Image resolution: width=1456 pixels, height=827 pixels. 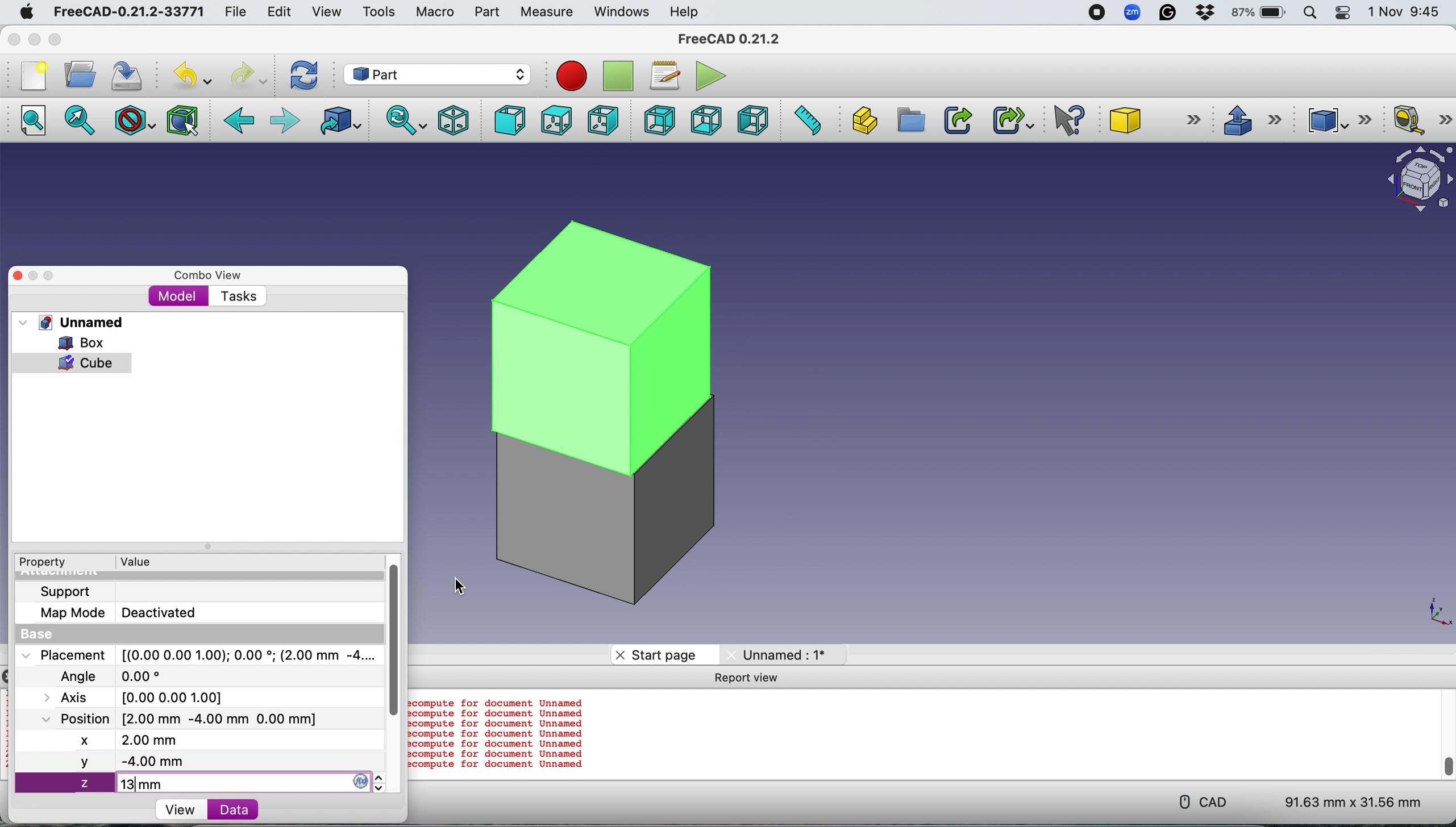 What do you see at coordinates (39, 122) in the screenshot?
I see `Fit all` at bounding box center [39, 122].